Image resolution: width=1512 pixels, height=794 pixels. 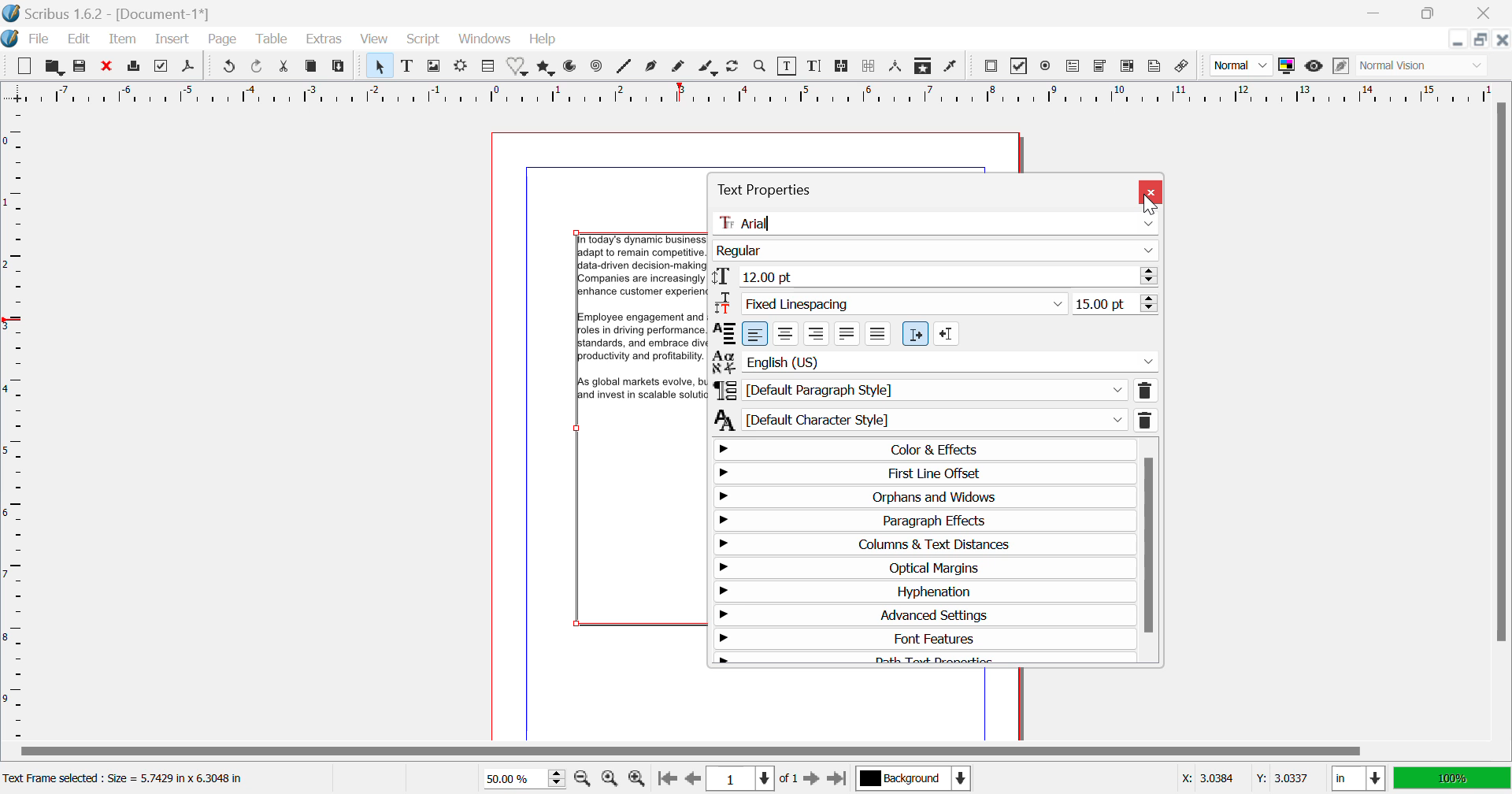 I want to click on Cursor on Close, so click(x=1152, y=192).